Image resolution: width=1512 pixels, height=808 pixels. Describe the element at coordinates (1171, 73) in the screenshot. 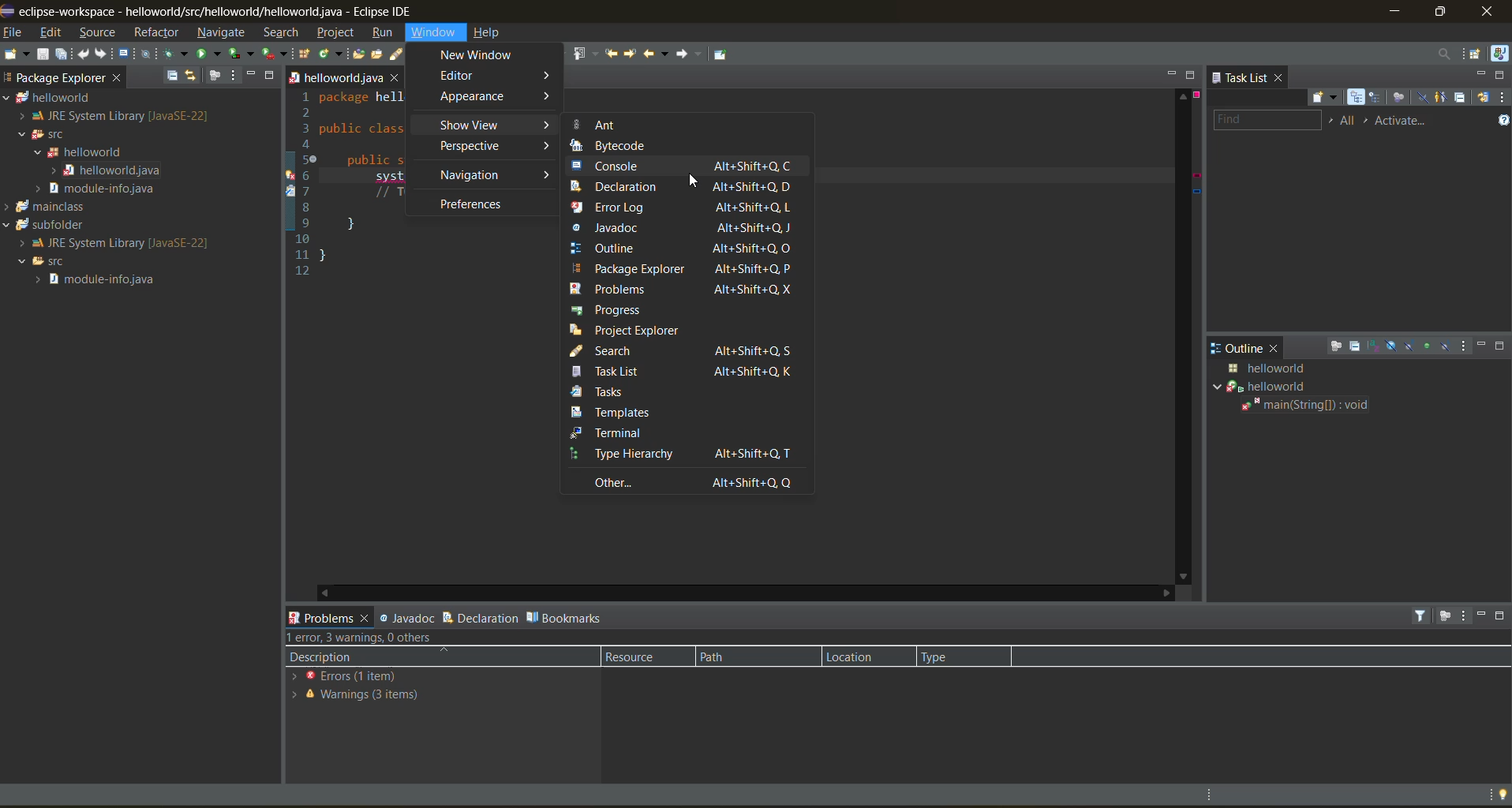

I see `minimize` at that location.